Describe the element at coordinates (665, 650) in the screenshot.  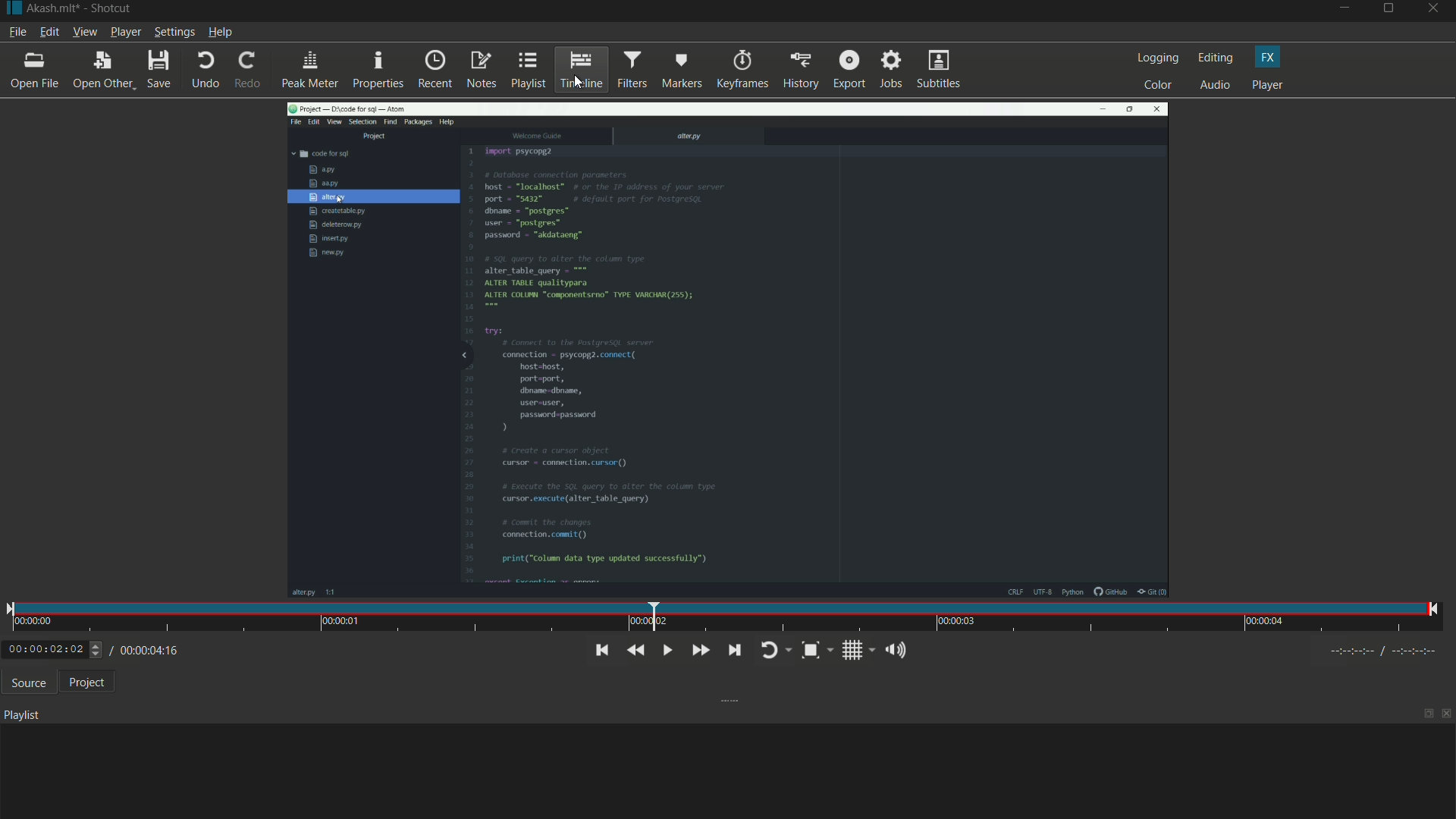
I see `toggle play or pause` at that location.